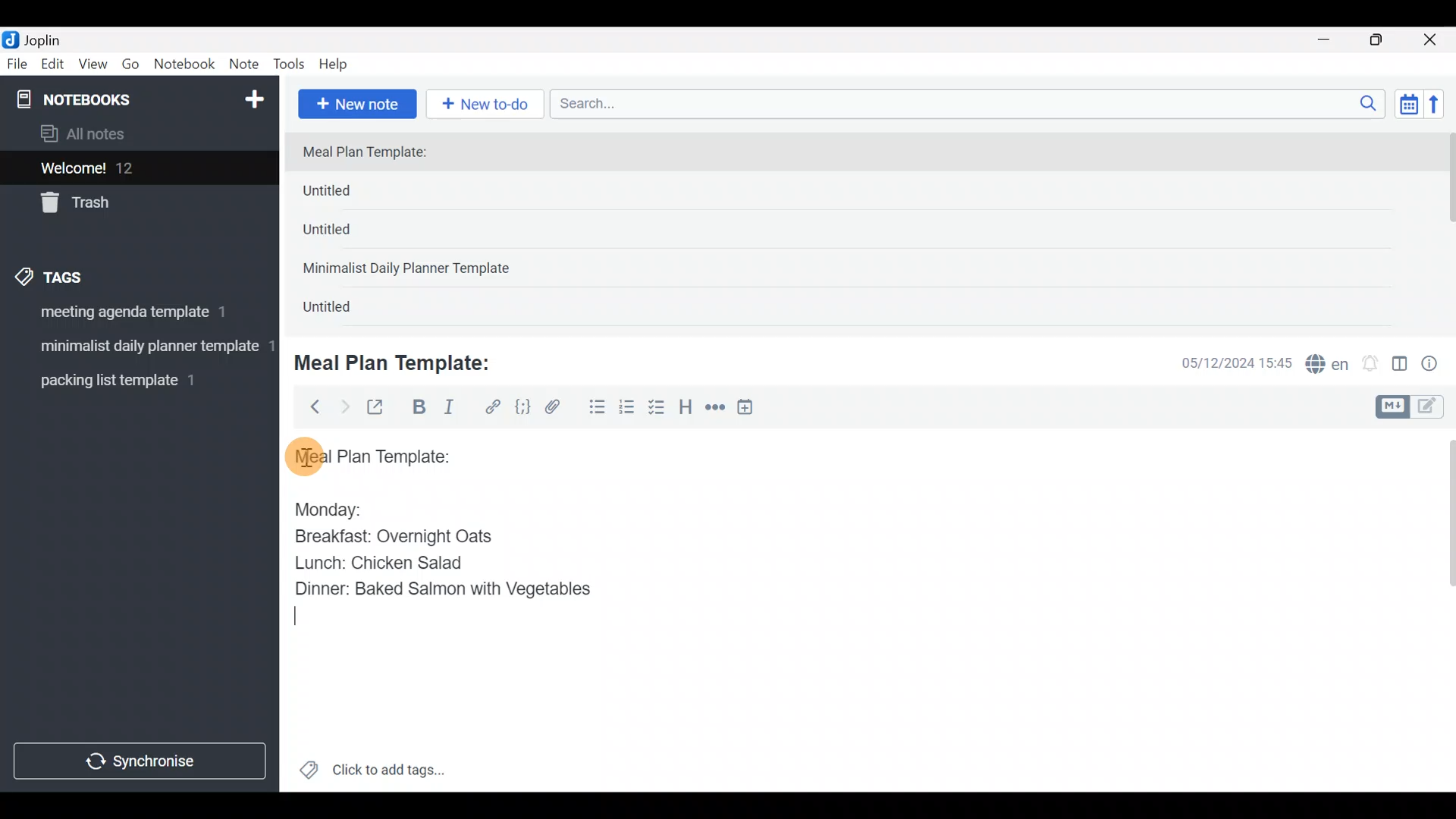 This screenshot has height=819, width=1456. Describe the element at coordinates (1414, 405) in the screenshot. I see `Toggle editors` at that location.